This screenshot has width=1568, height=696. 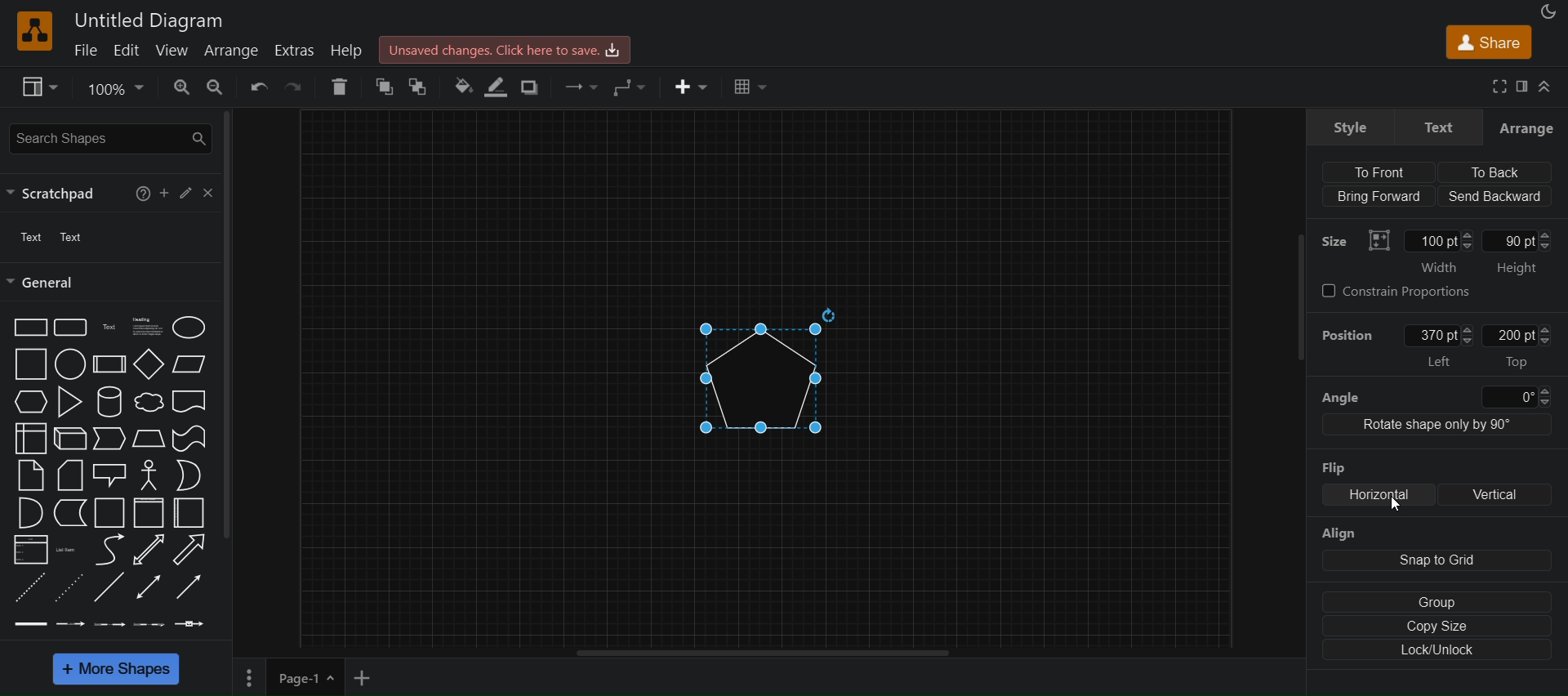 I want to click on Container, so click(x=109, y=513).